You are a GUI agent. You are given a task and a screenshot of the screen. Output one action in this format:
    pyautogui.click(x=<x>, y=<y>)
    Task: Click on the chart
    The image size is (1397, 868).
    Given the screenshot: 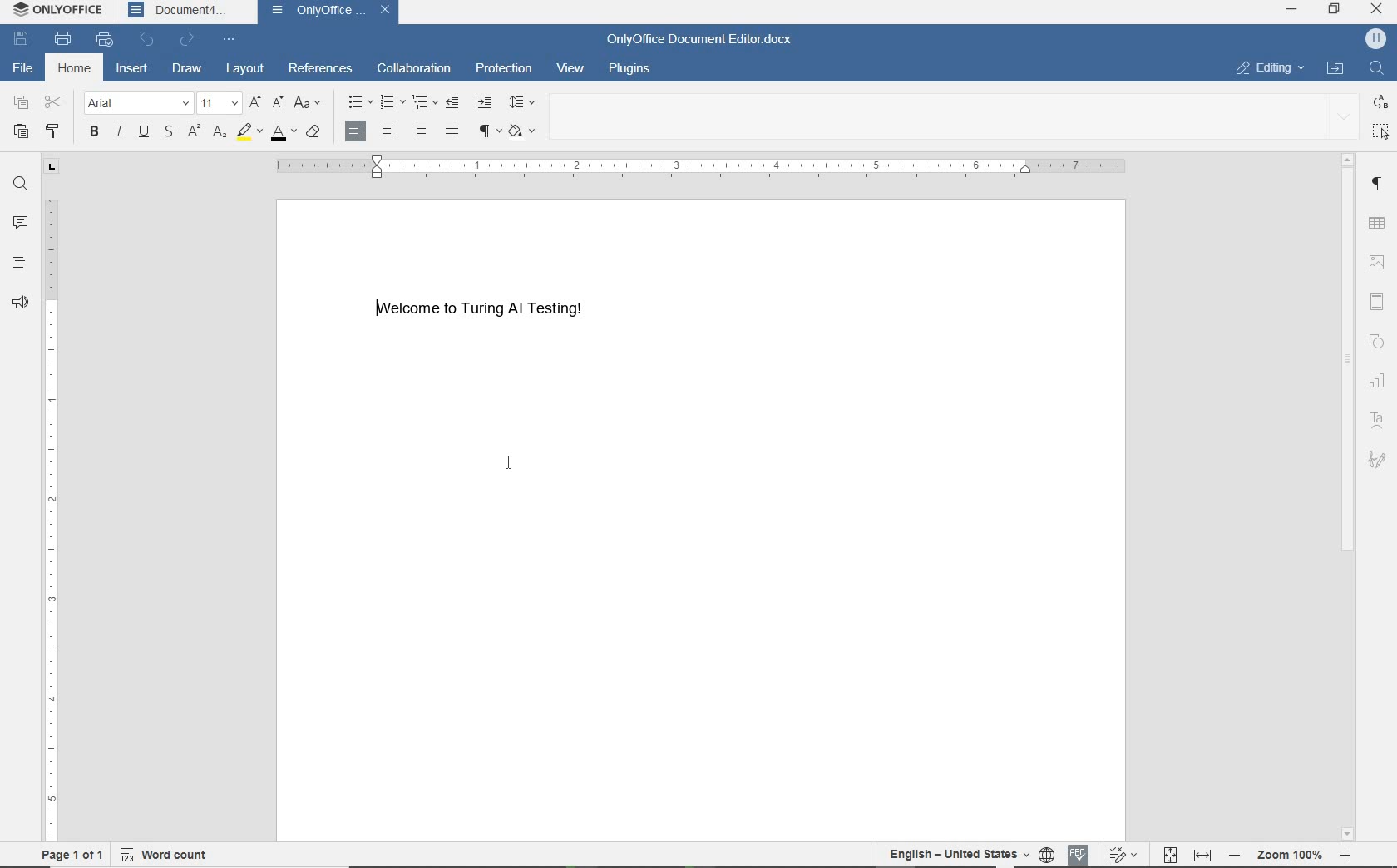 What is the action you would take?
    pyautogui.click(x=1379, y=381)
    